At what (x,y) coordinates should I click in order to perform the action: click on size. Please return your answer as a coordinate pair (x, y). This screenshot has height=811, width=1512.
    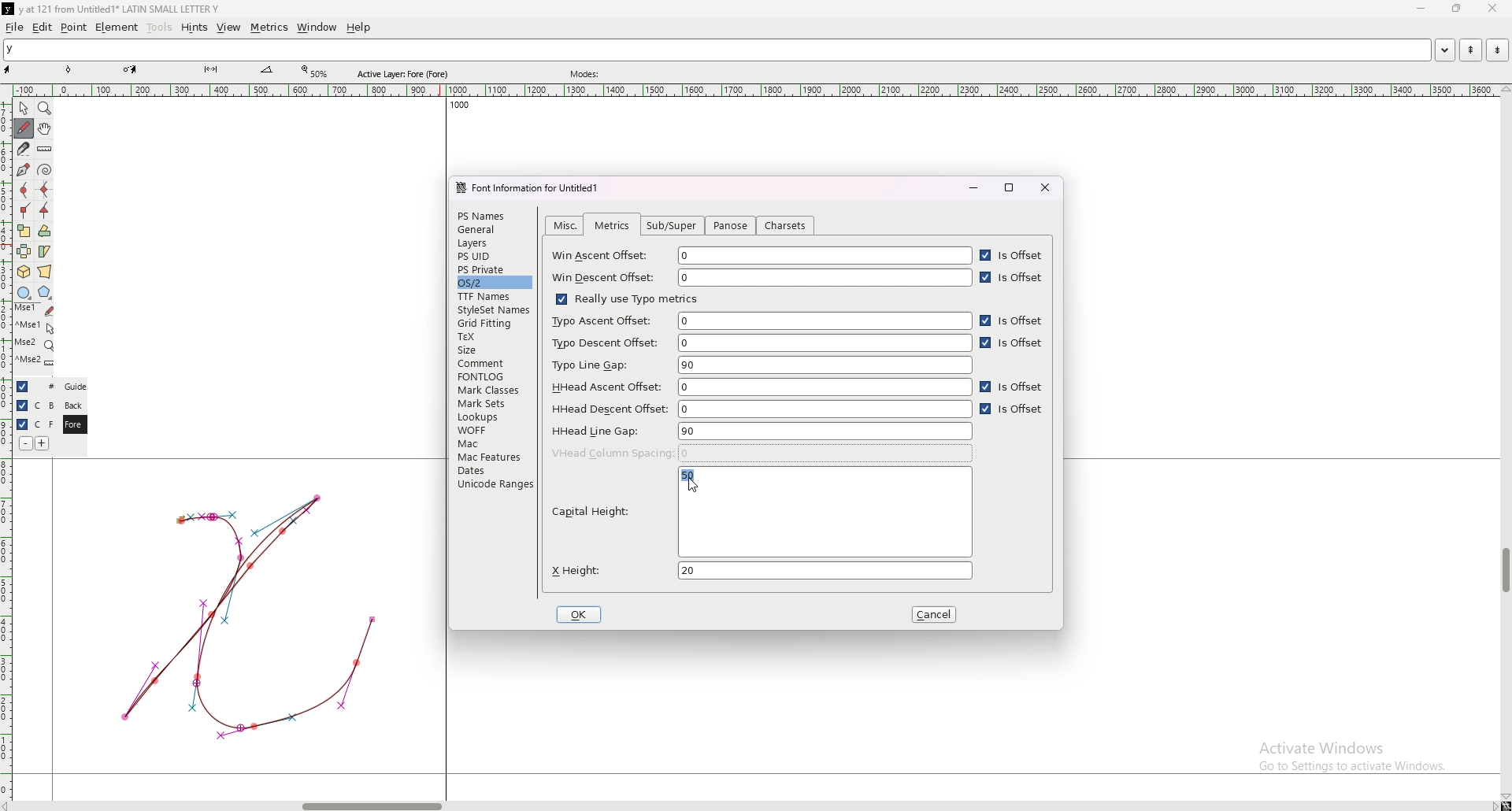
    Looking at the image, I should click on (494, 350).